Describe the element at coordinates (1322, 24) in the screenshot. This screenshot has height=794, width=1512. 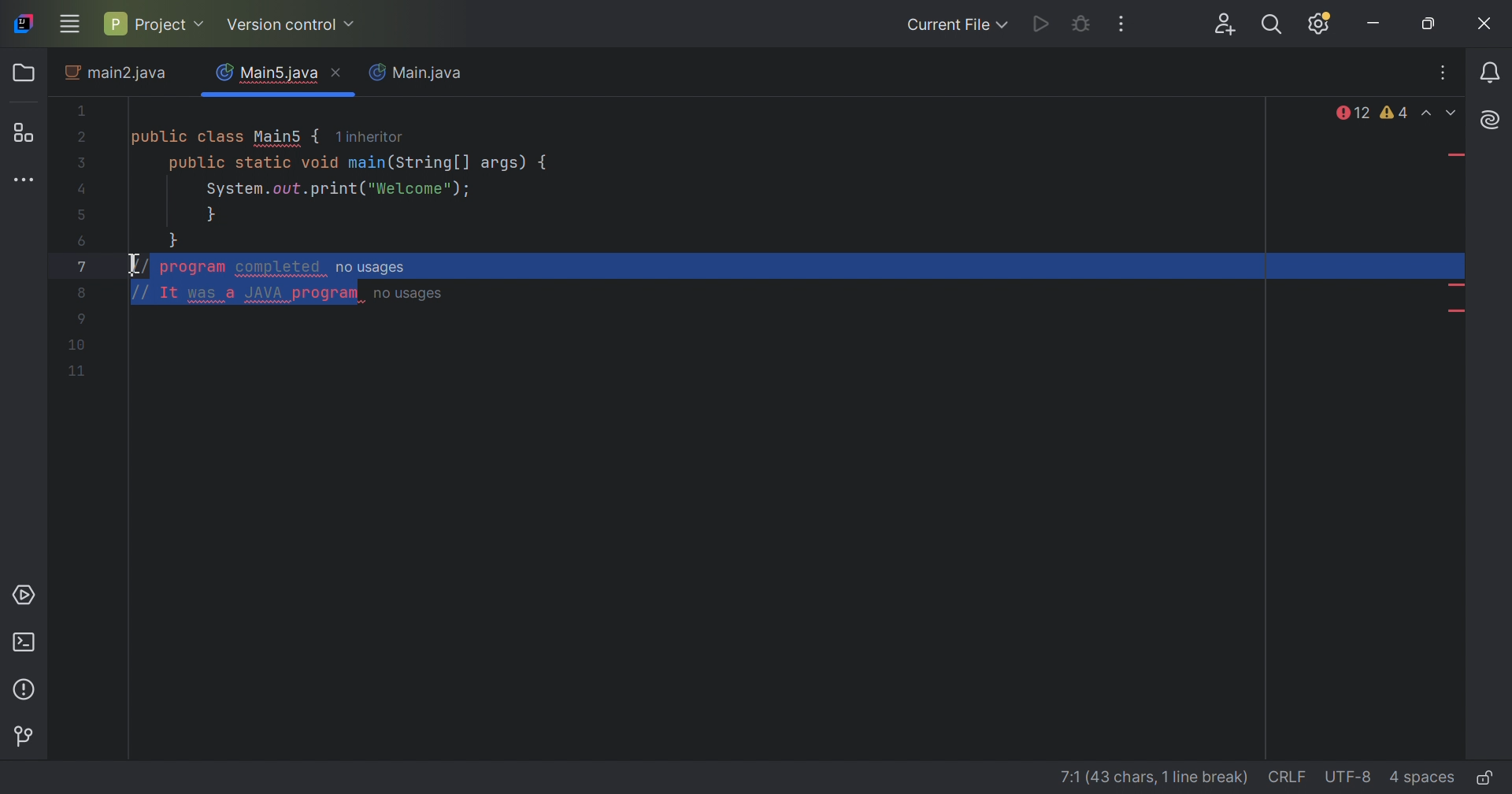
I see `Updates available. IDE and Project Settings.` at that location.